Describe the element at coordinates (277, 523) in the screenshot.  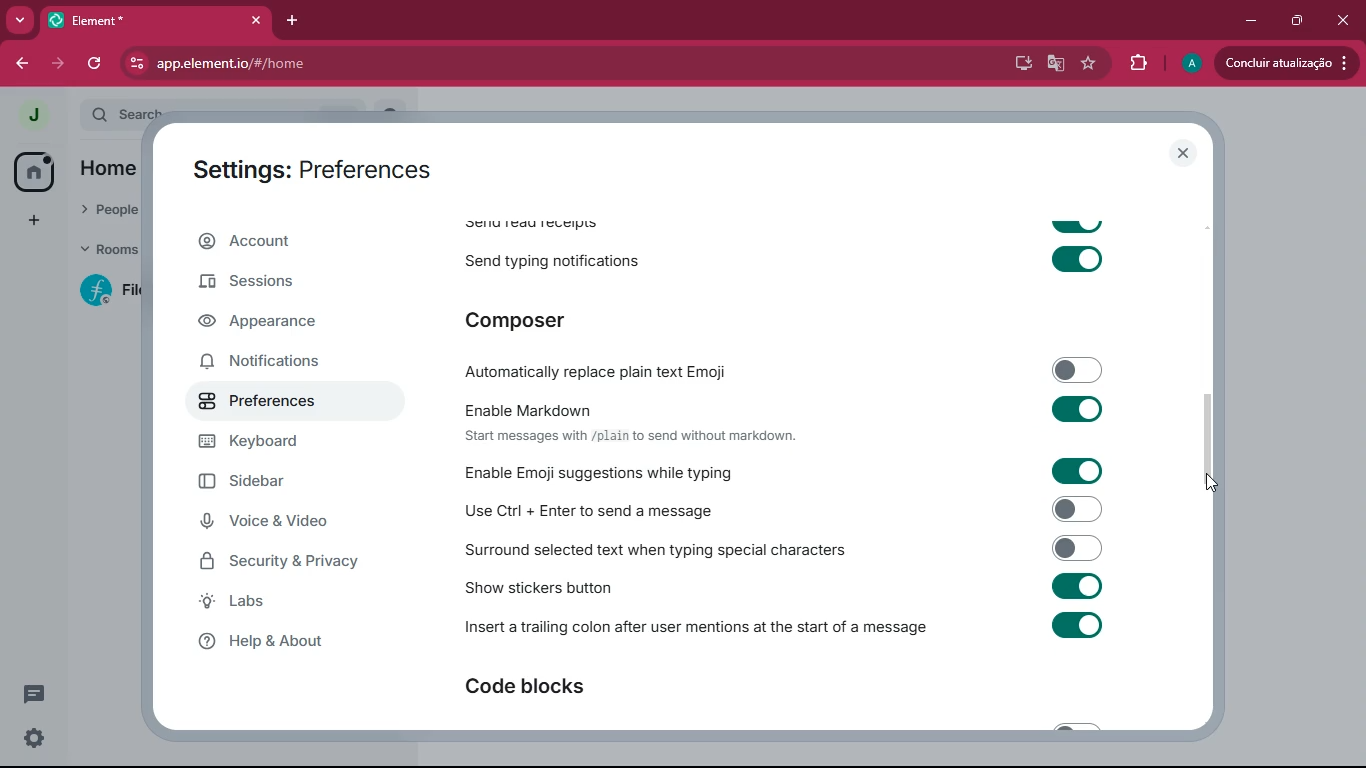
I see `voice` at that location.